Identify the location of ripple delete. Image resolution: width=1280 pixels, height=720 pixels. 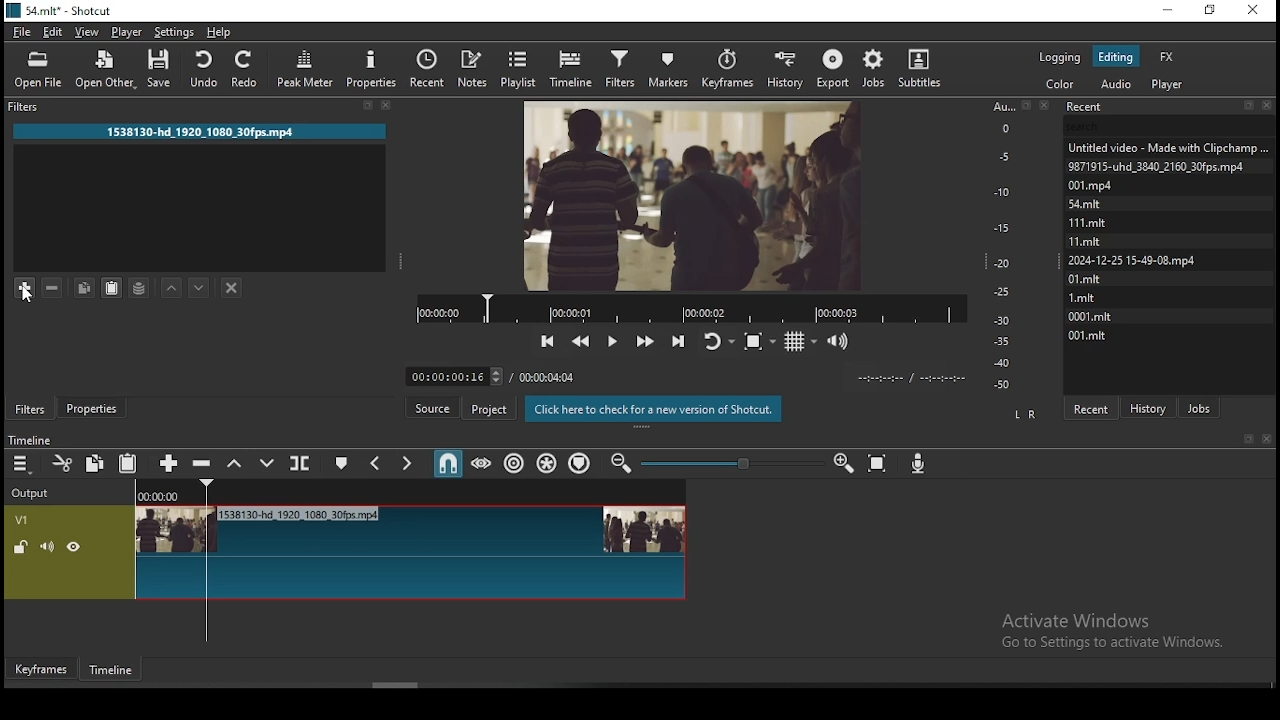
(204, 464).